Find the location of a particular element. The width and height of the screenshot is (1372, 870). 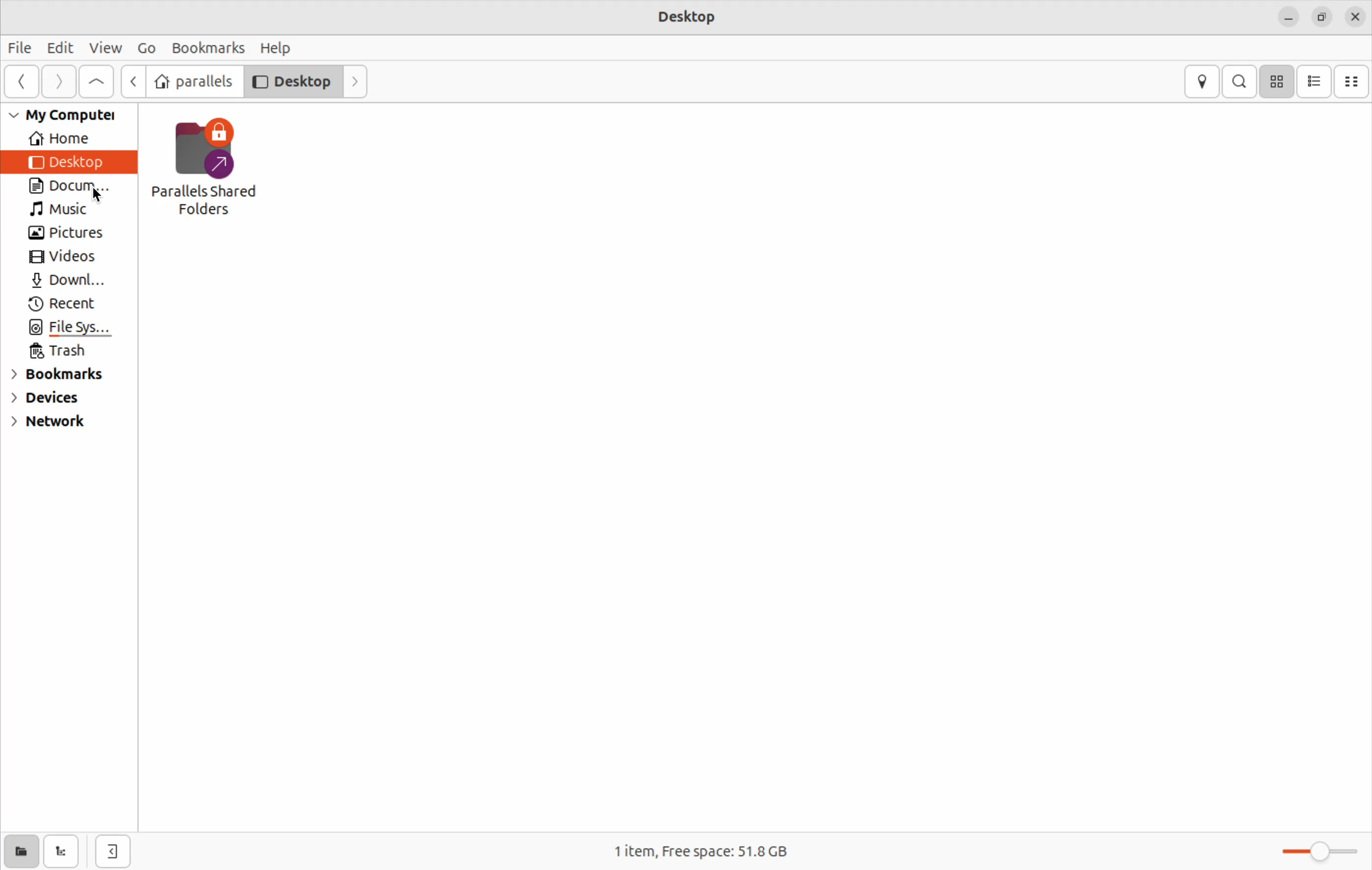

File system is located at coordinates (71, 329).